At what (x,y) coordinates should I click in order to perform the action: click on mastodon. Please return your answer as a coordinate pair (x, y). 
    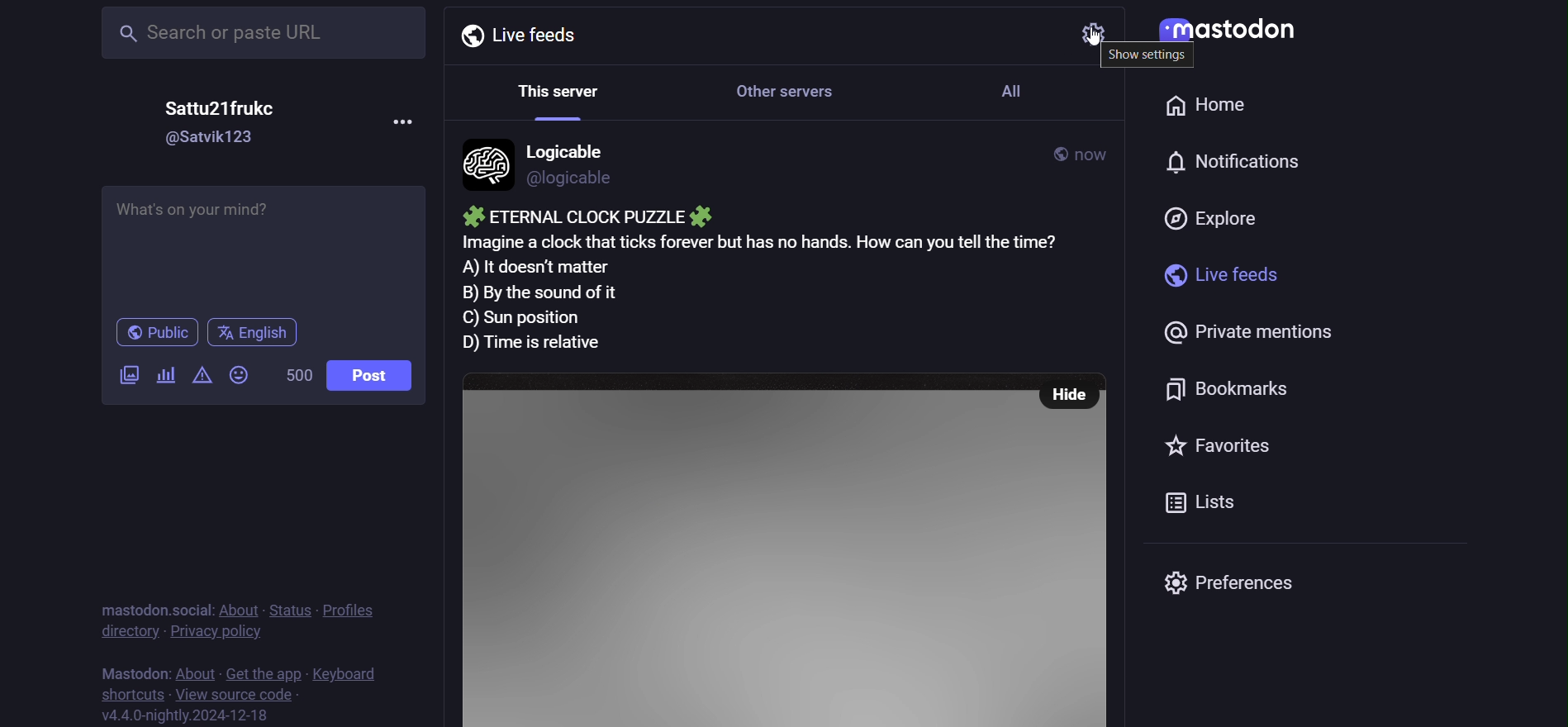
    Looking at the image, I should click on (1233, 34).